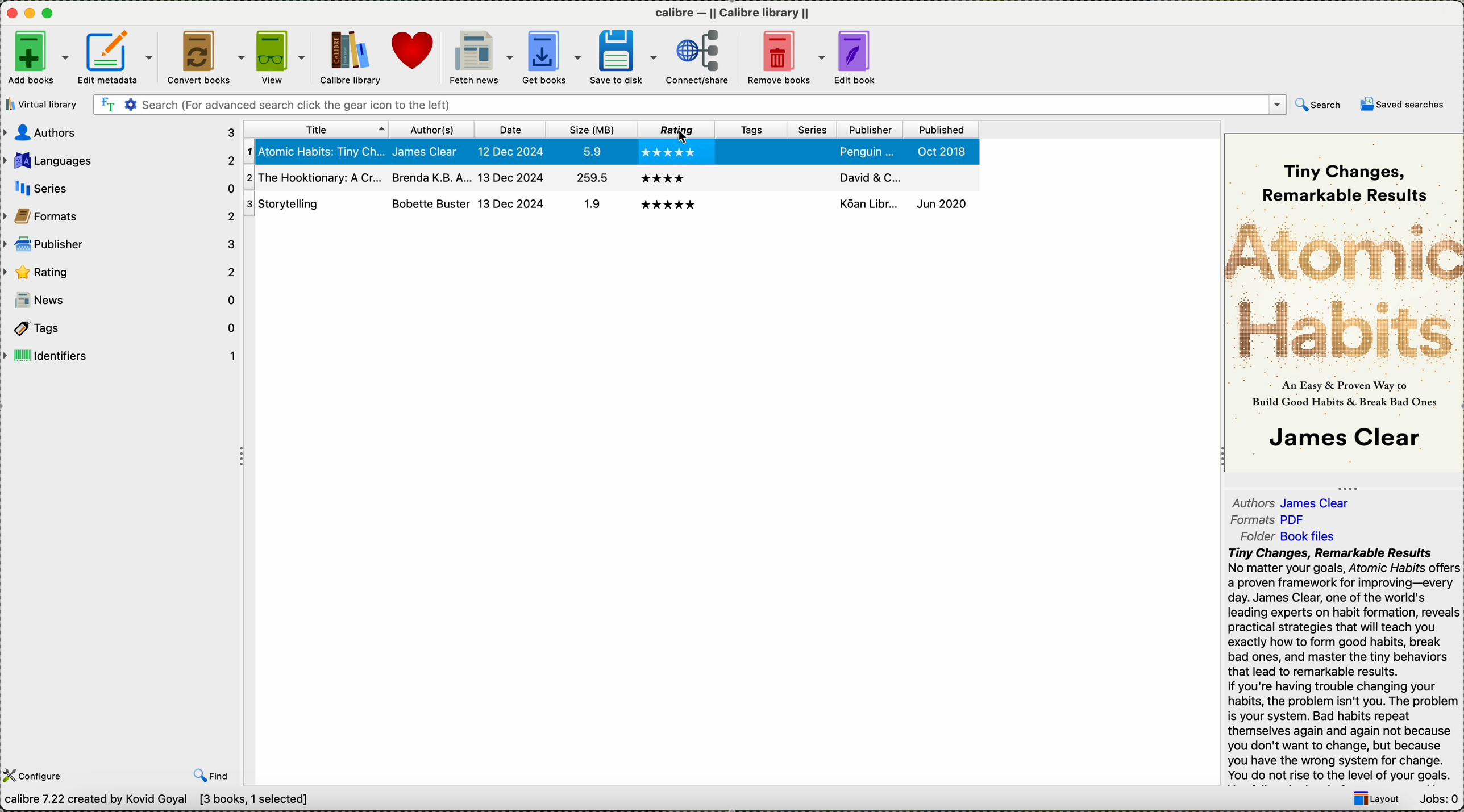  I want to click on find, so click(210, 776).